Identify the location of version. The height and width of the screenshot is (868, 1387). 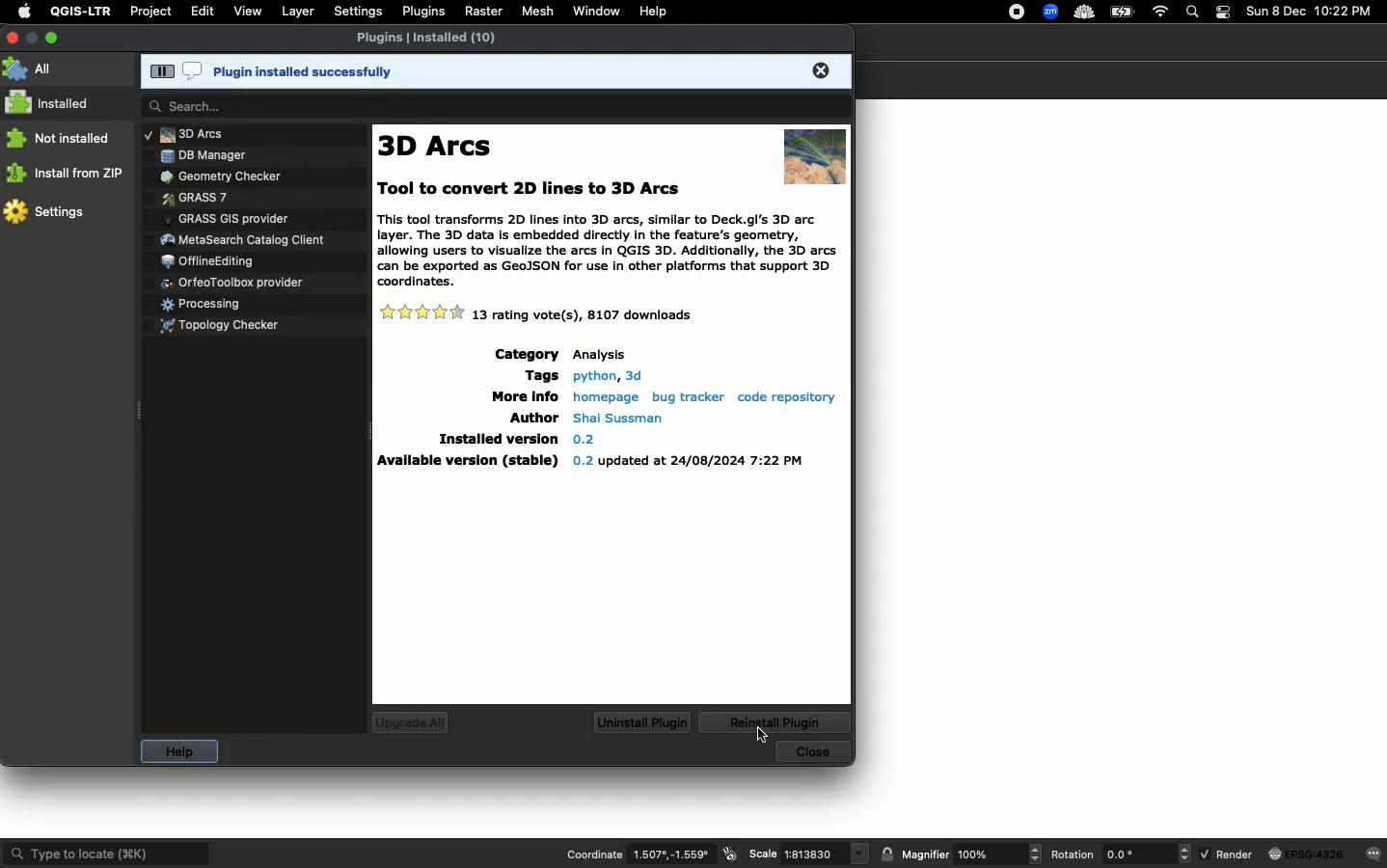
(688, 461).